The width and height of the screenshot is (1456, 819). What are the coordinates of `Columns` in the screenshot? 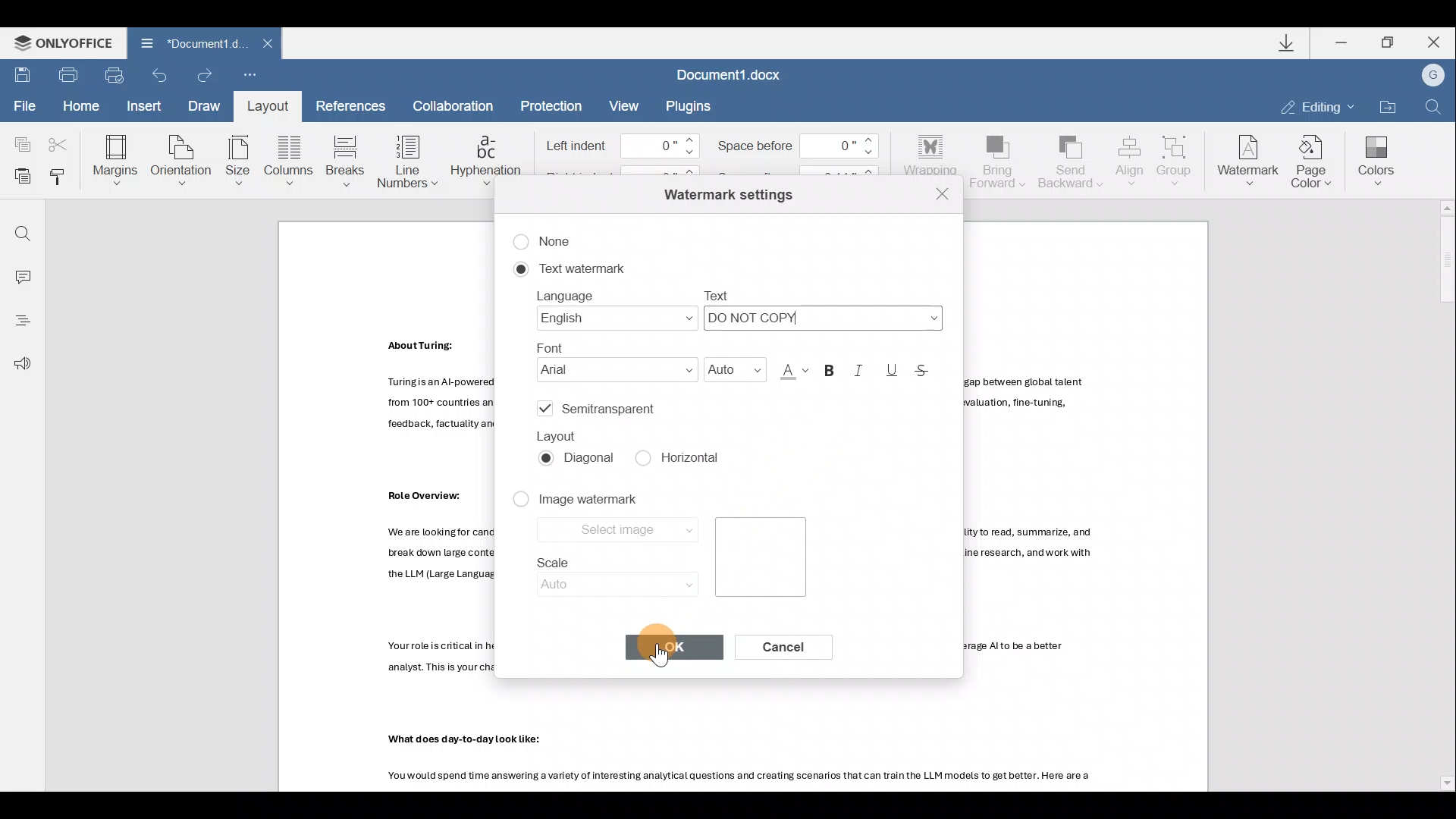 It's located at (290, 158).